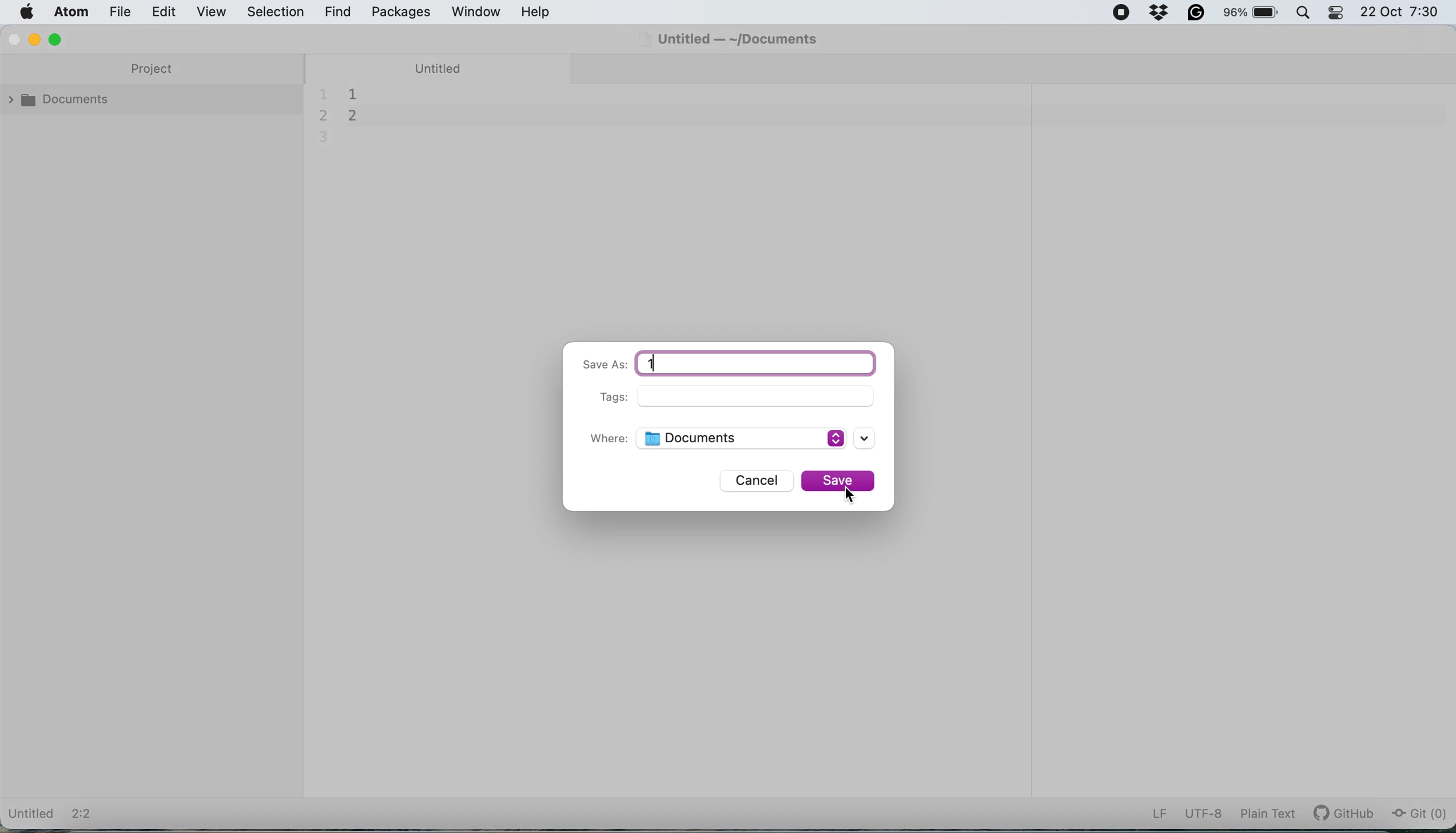  I want to click on cursor, so click(852, 495).